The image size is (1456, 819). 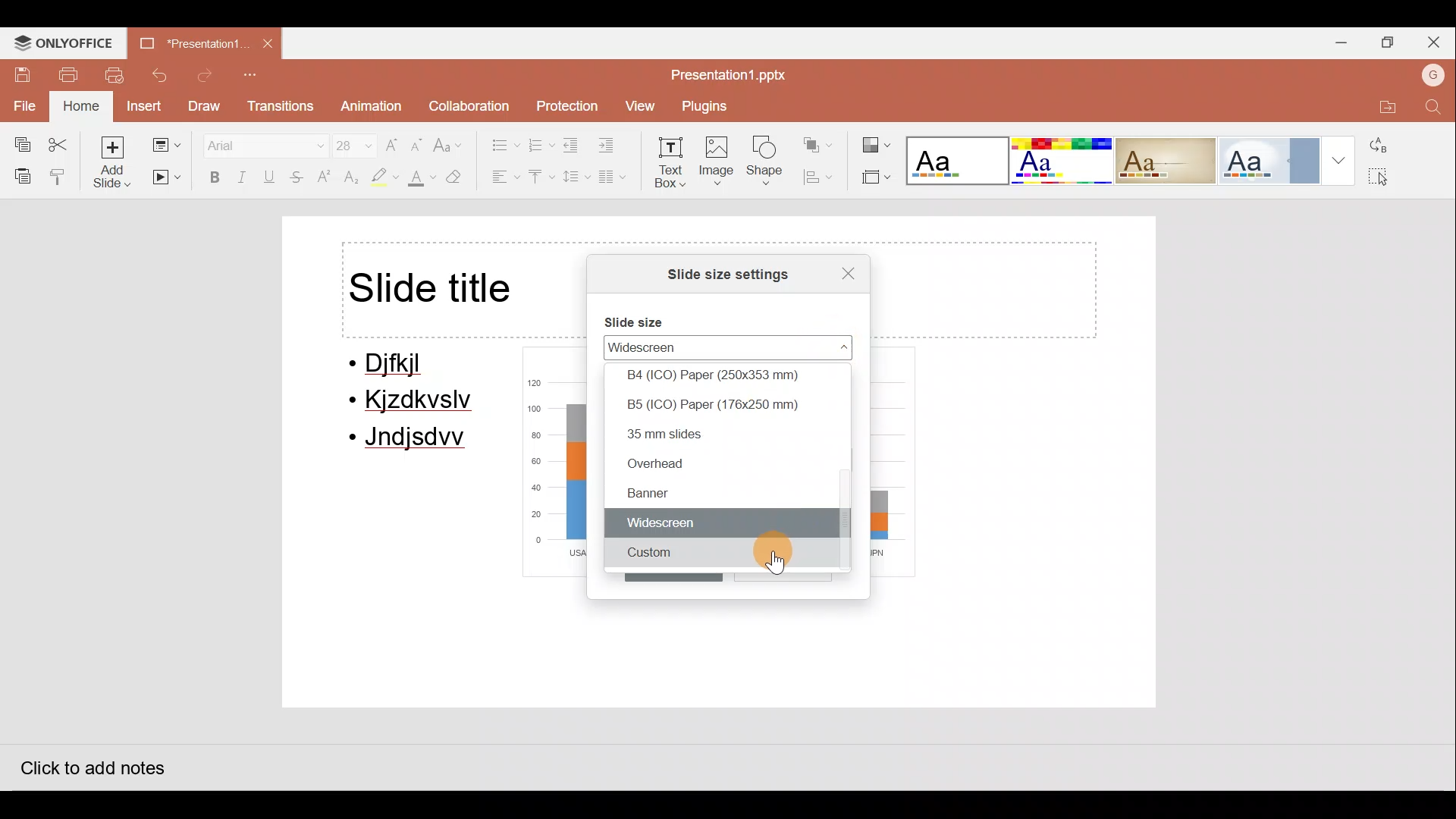 What do you see at coordinates (1065, 161) in the screenshot?
I see `Theme 2` at bounding box center [1065, 161].